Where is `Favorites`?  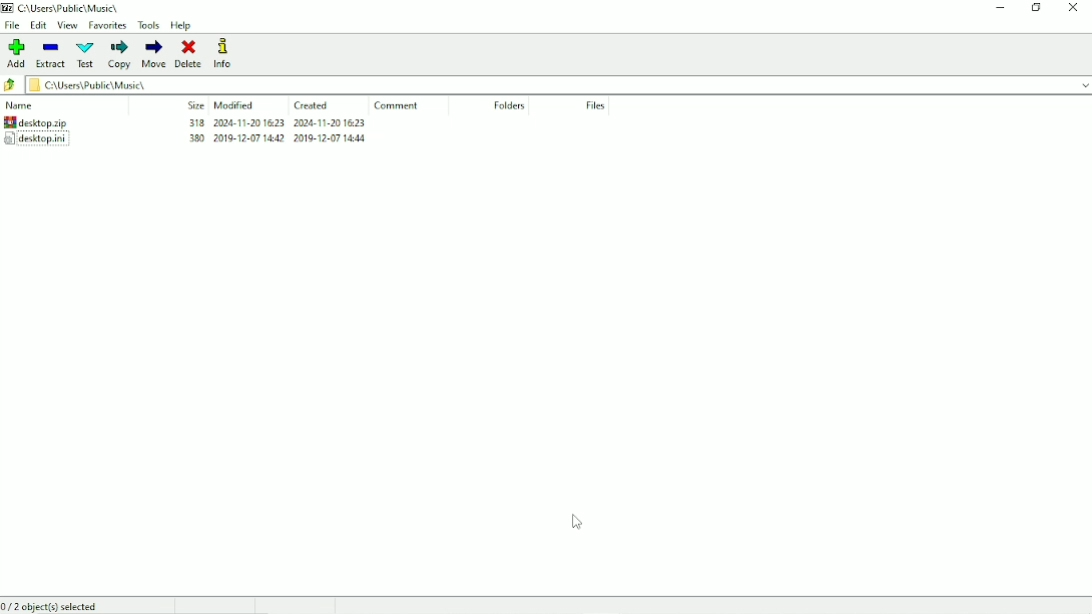
Favorites is located at coordinates (107, 26).